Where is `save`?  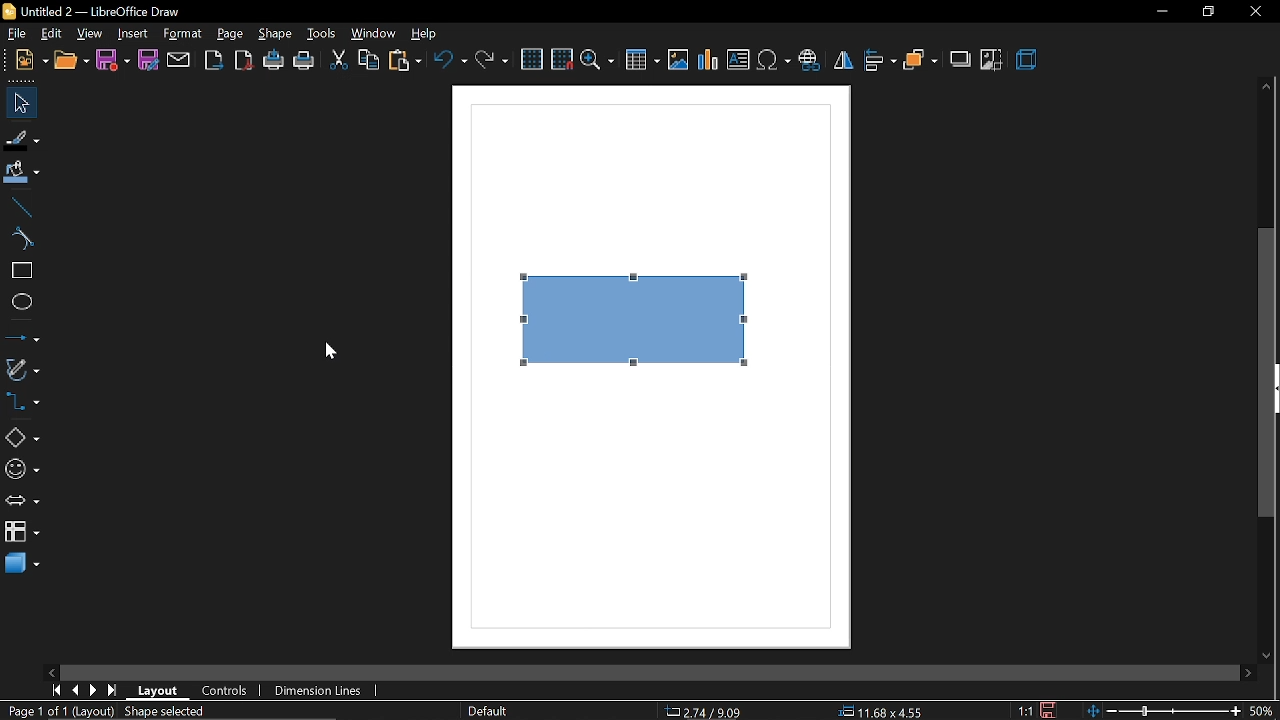 save is located at coordinates (1050, 709).